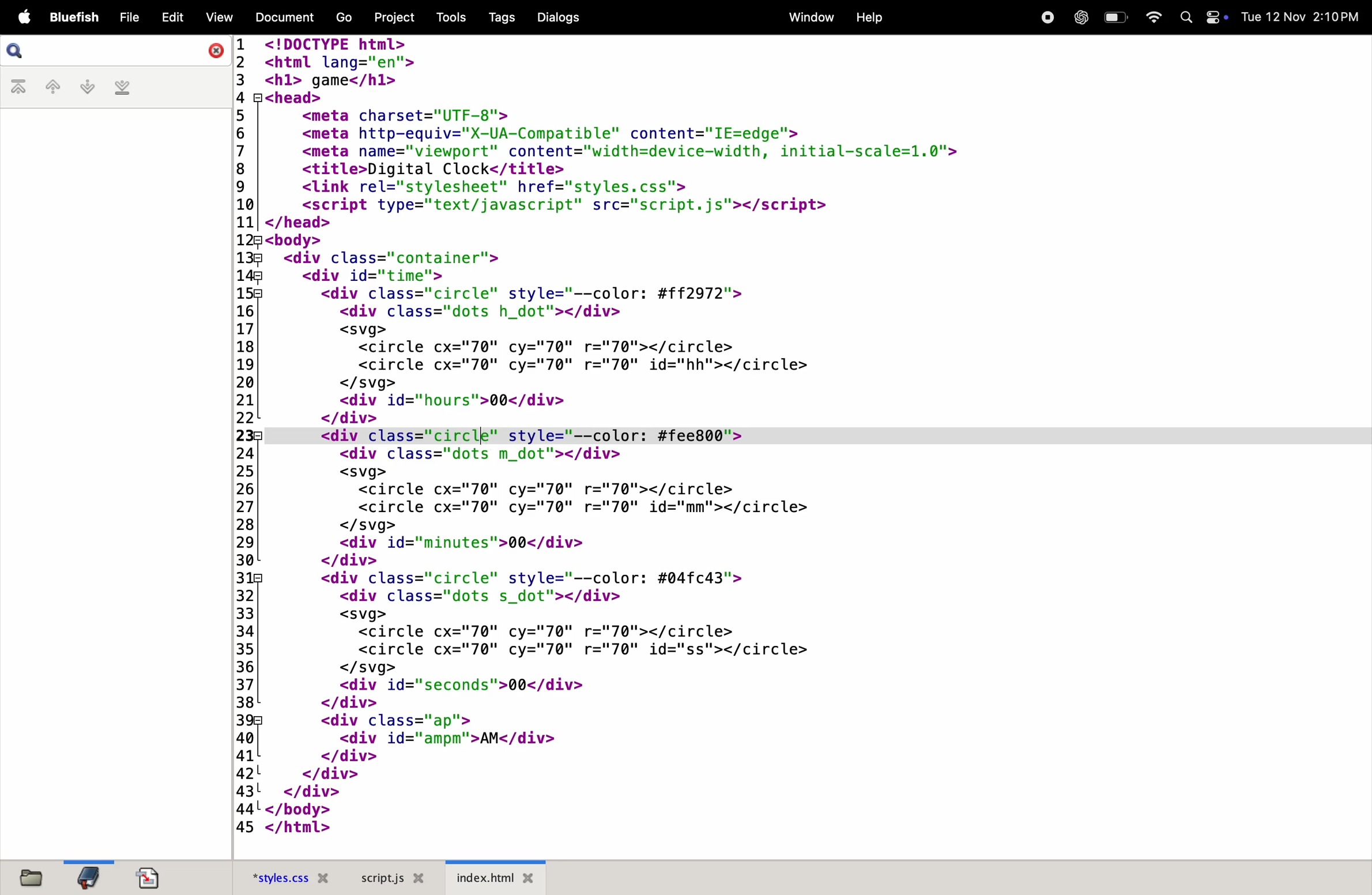  I want to click on bluefish, so click(74, 18).